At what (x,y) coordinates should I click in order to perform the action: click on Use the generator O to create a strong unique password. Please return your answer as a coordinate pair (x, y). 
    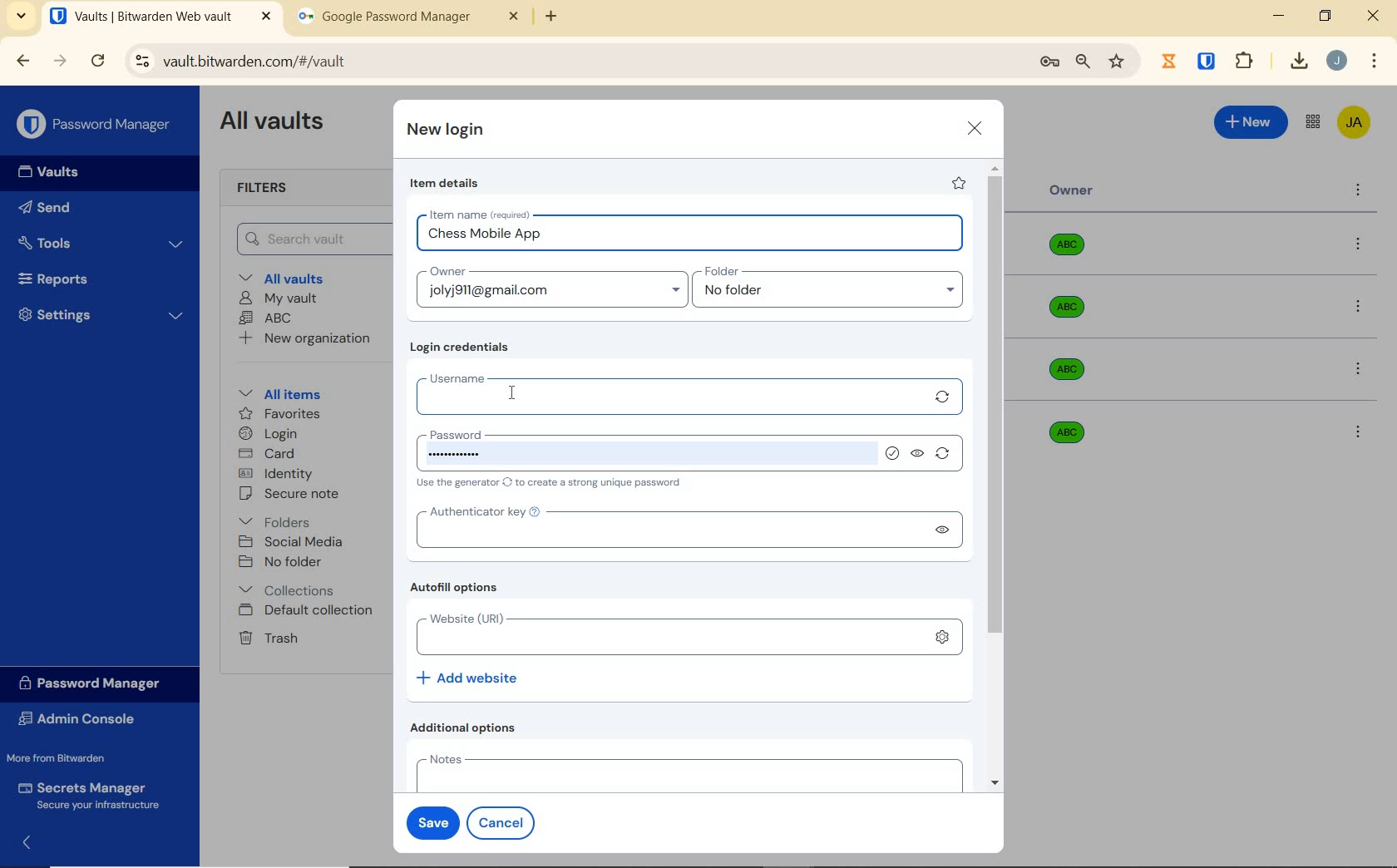
    Looking at the image, I should click on (552, 484).